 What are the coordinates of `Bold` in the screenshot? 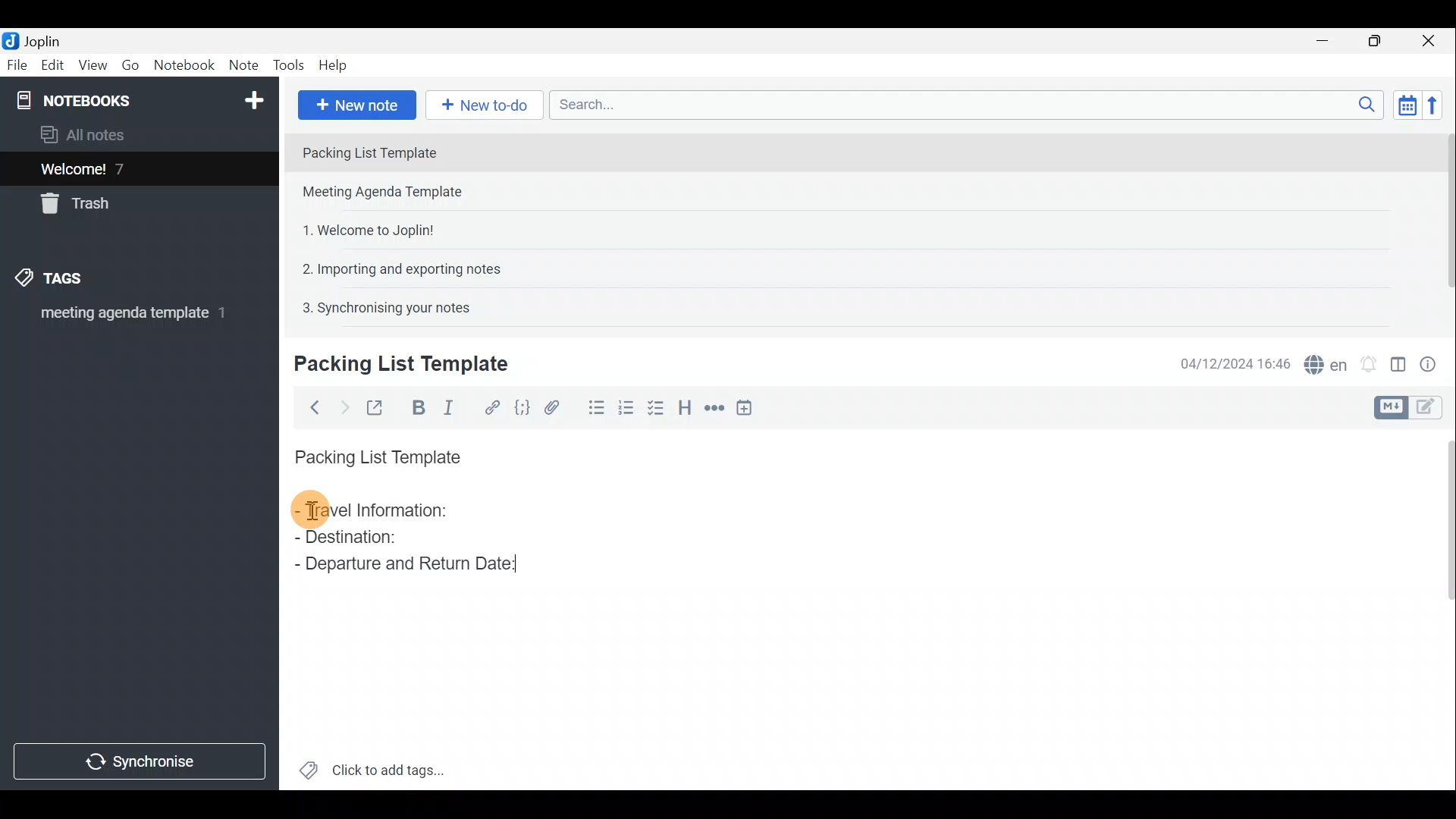 It's located at (416, 406).